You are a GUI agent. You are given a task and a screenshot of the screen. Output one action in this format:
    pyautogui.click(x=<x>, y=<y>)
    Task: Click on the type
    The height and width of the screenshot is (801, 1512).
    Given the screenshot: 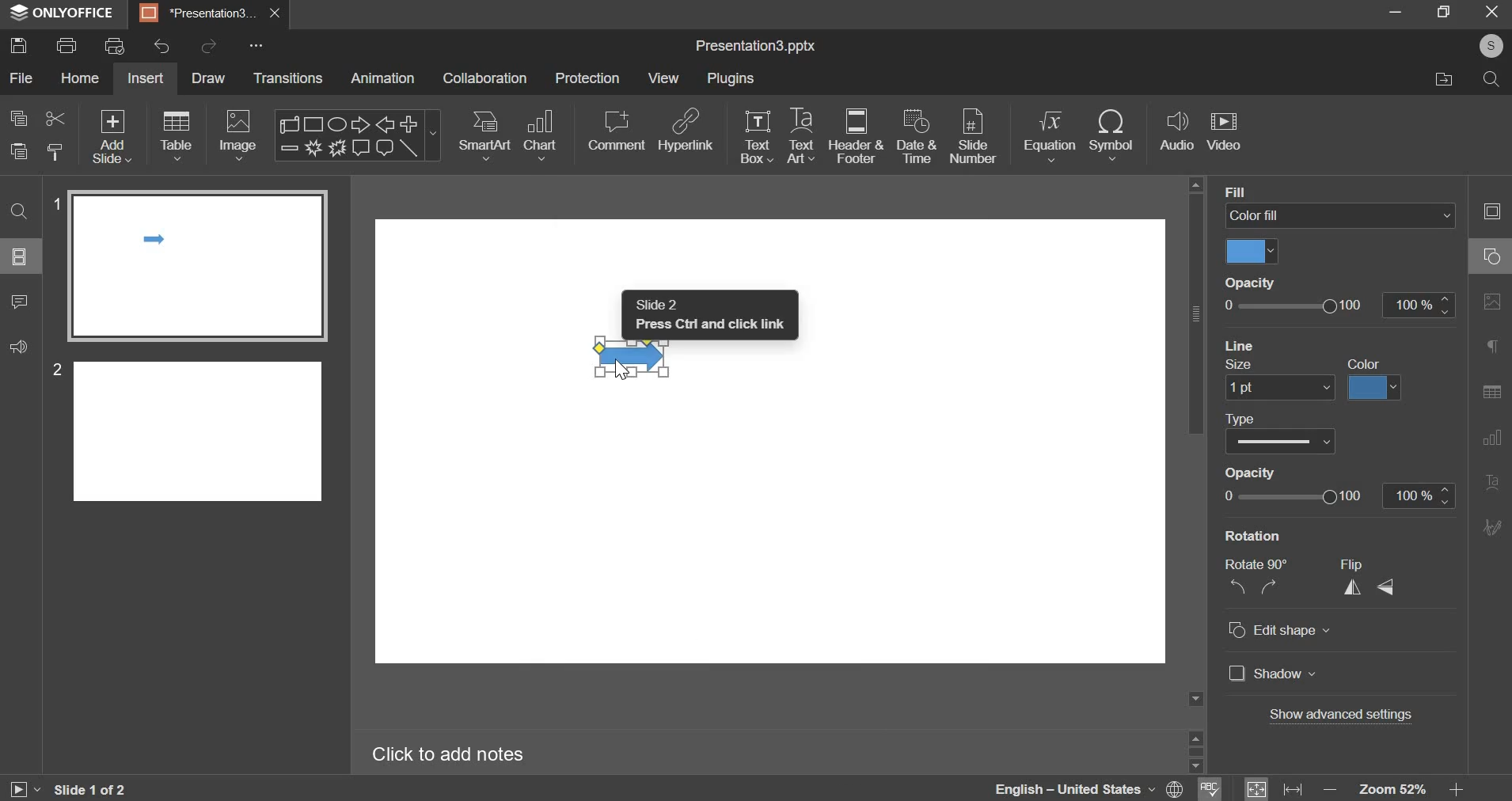 What is the action you would take?
    pyautogui.click(x=1241, y=419)
    